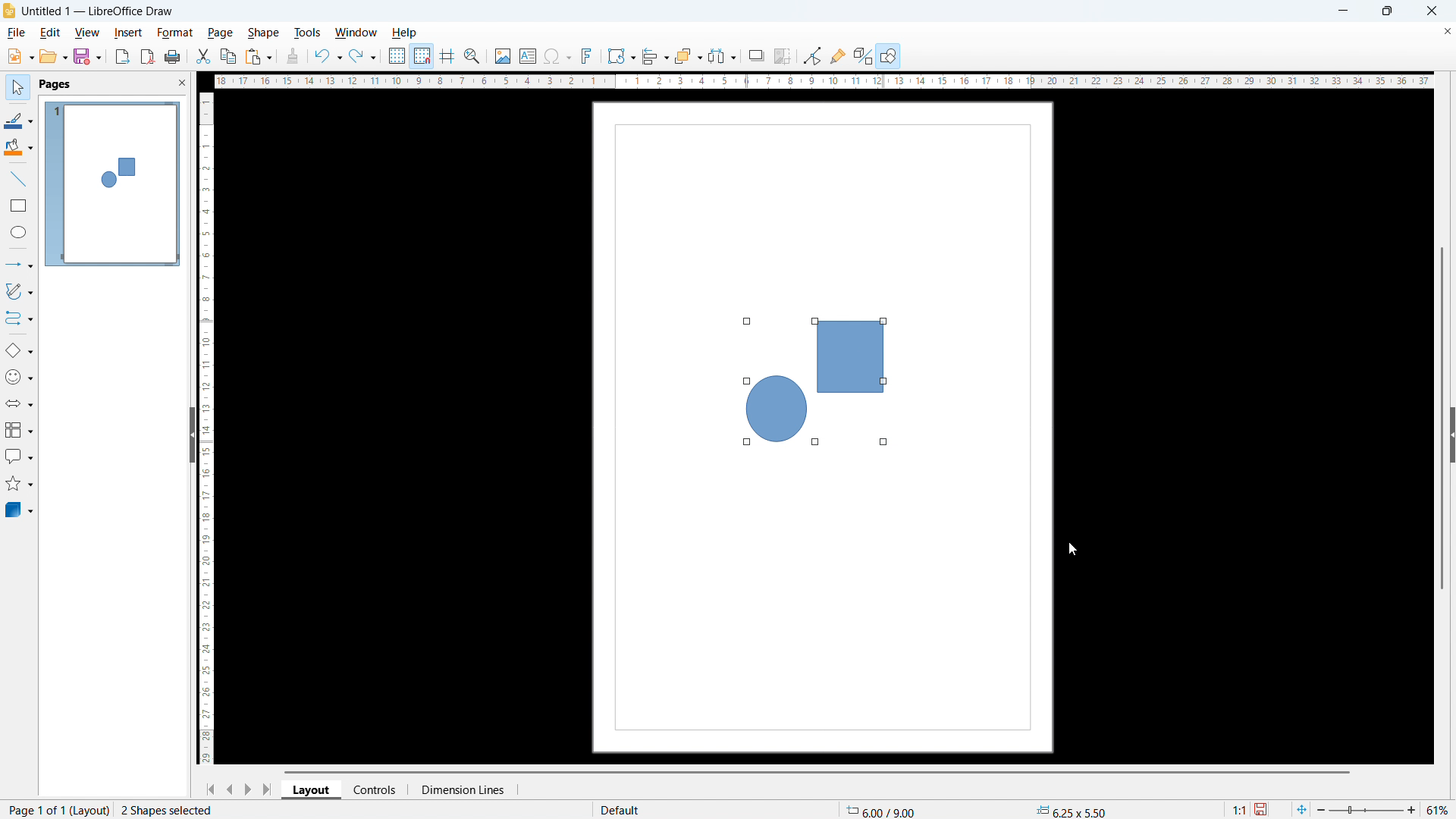 The image size is (1456, 819). I want to click on print, so click(174, 57).